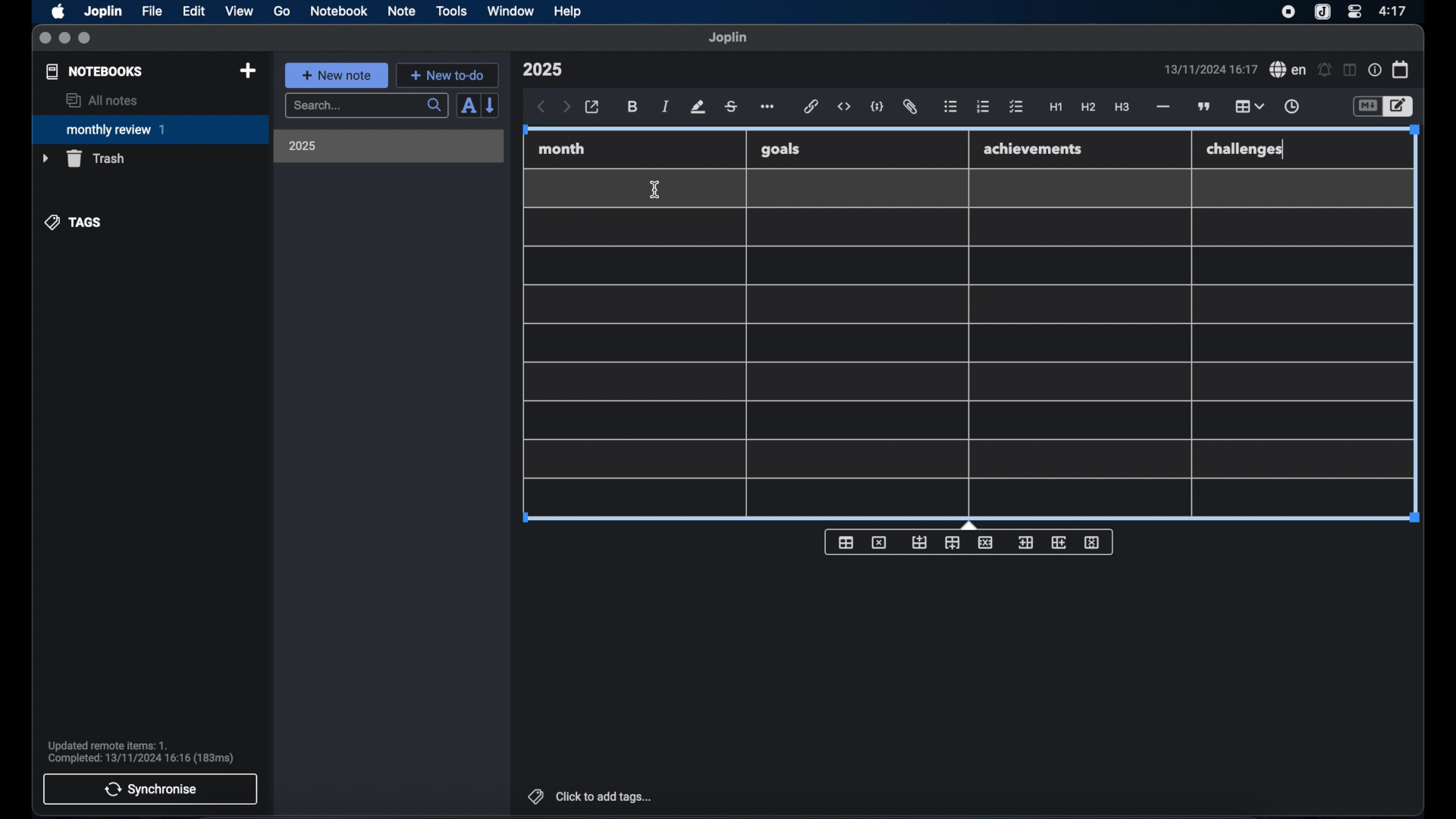  I want to click on maximize, so click(86, 39).